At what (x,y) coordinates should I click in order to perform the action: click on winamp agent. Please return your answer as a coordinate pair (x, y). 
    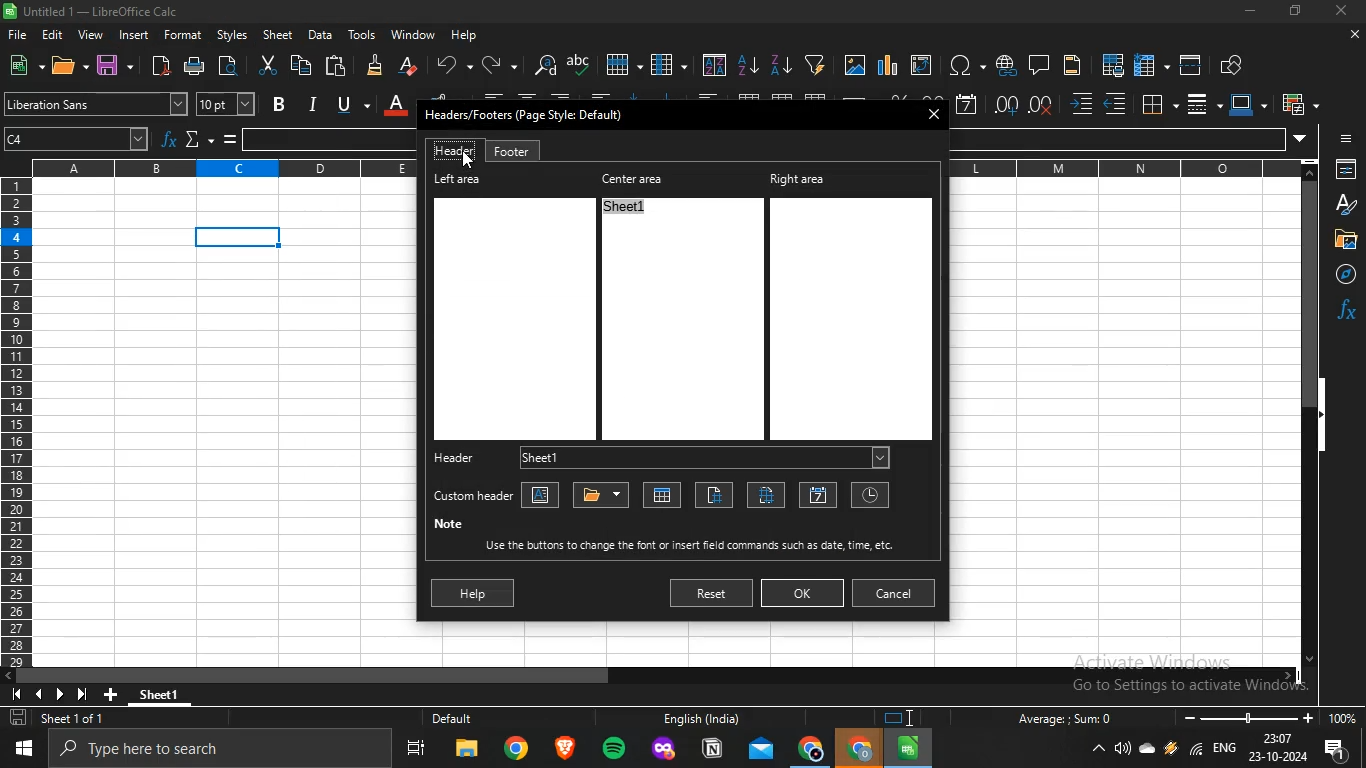
    Looking at the image, I should click on (1171, 754).